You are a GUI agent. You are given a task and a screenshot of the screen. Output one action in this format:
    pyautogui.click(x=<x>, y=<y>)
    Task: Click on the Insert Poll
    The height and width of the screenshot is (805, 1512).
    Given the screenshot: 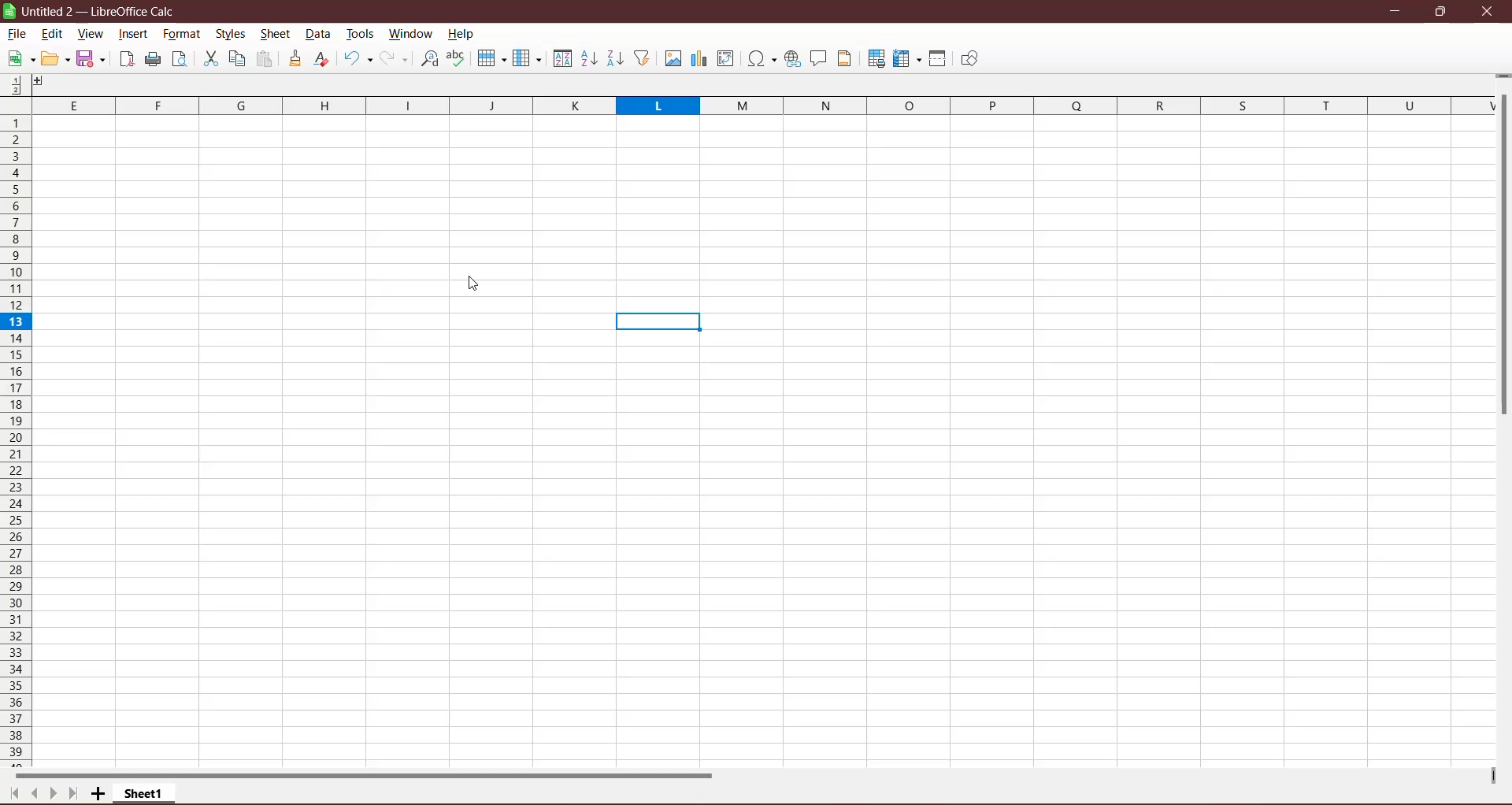 What is the action you would take?
    pyautogui.click(x=699, y=58)
    